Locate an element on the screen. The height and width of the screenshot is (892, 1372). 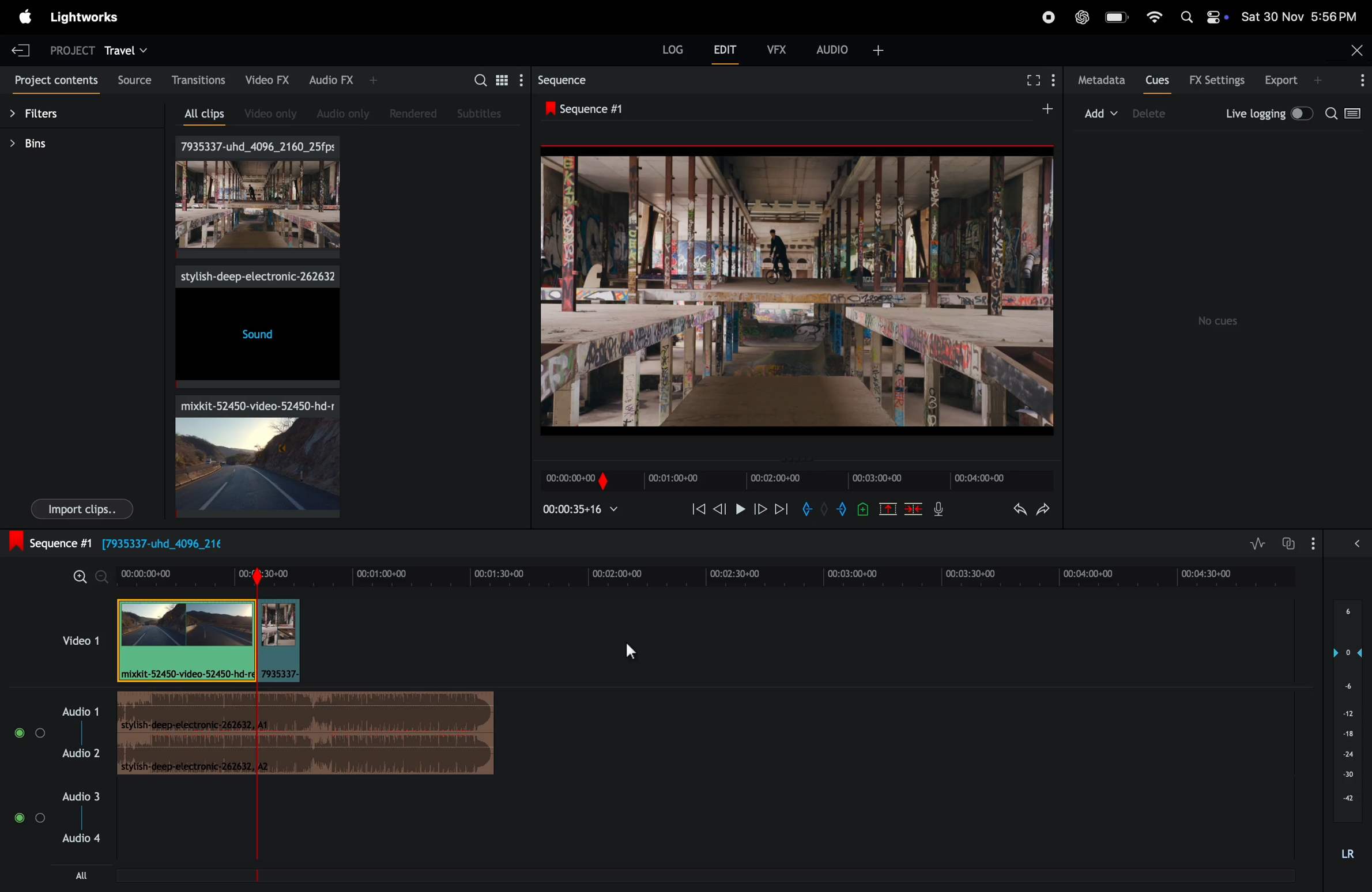
apple widgets is located at coordinates (1203, 17).